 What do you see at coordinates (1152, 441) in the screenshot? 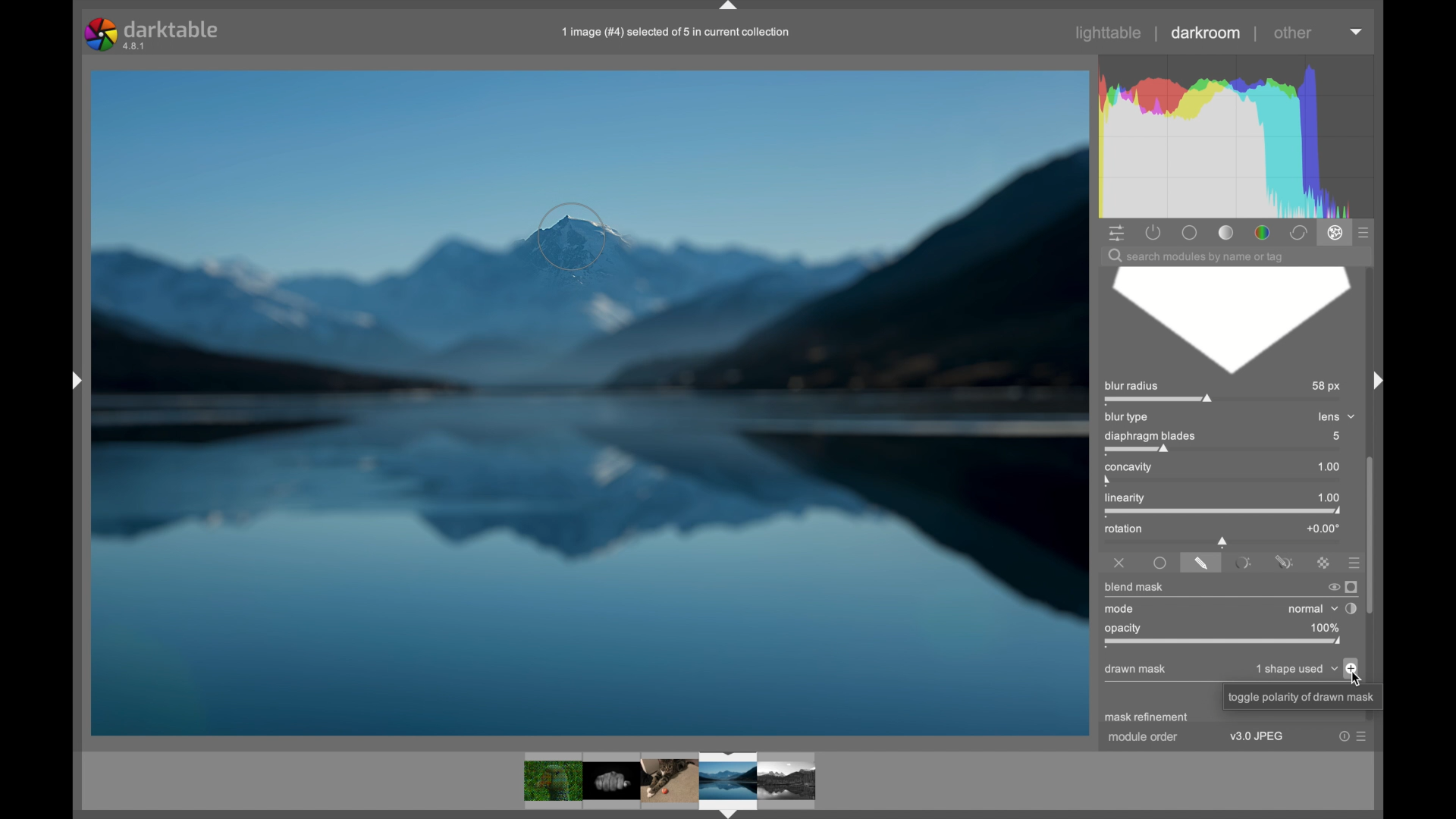
I see `diaphragm blades` at bounding box center [1152, 441].